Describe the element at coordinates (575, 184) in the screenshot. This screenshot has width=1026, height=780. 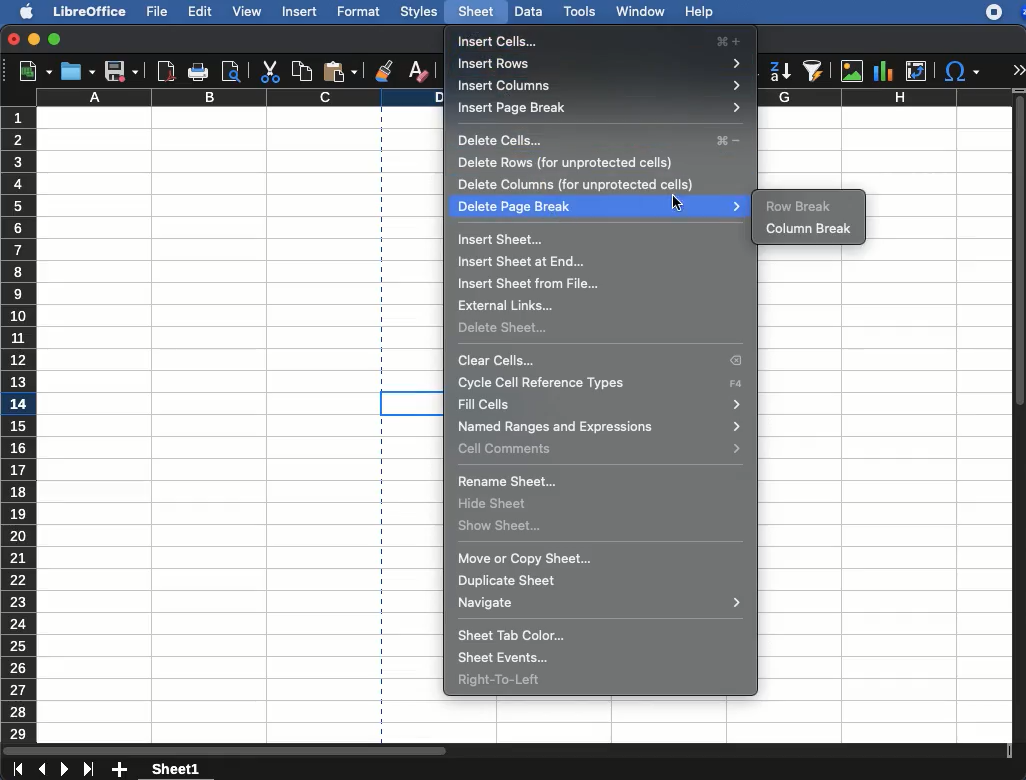
I see `delete columns (for unprotected cells)` at that location.